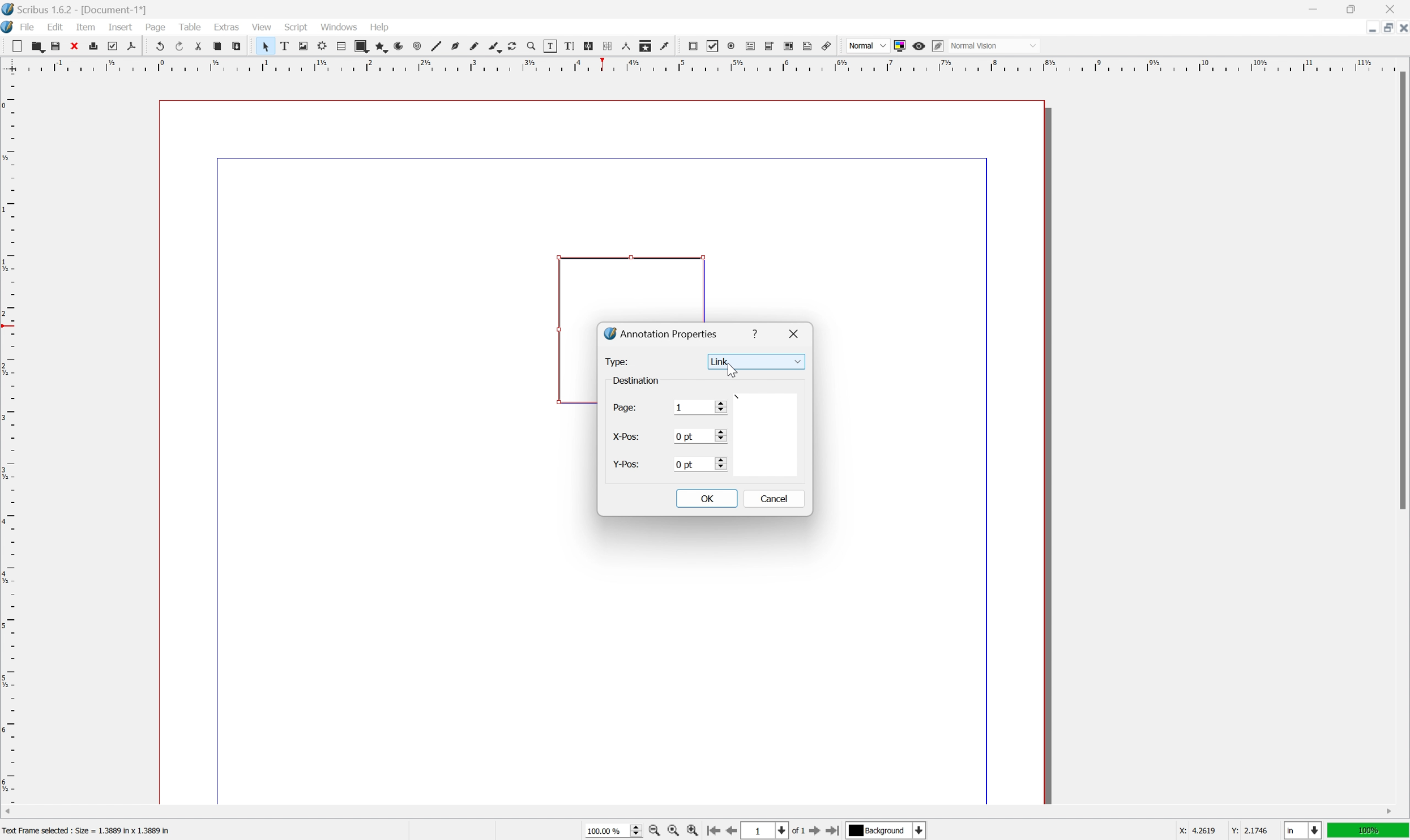 Image resolution: width=1410 pixels, height=840 pixels. I want to click on line, so click(437, 46).